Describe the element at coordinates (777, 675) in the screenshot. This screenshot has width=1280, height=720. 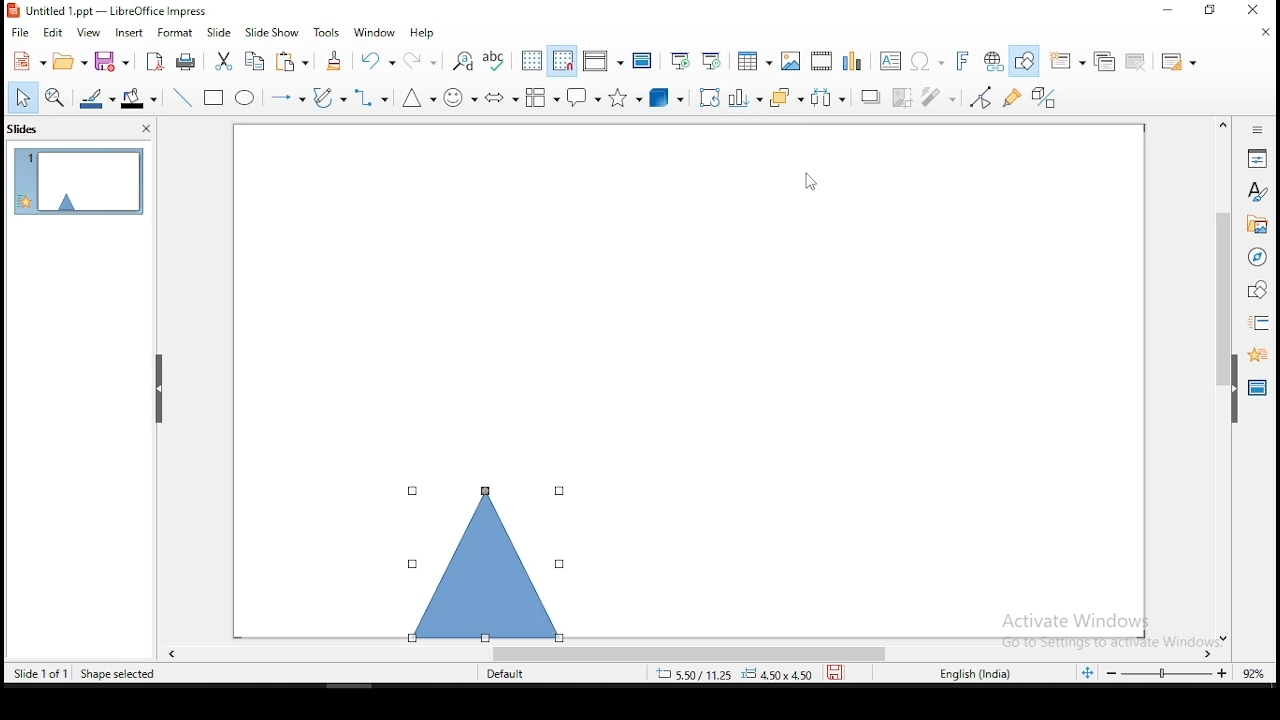
I see `0.00x 0.00` at that location.